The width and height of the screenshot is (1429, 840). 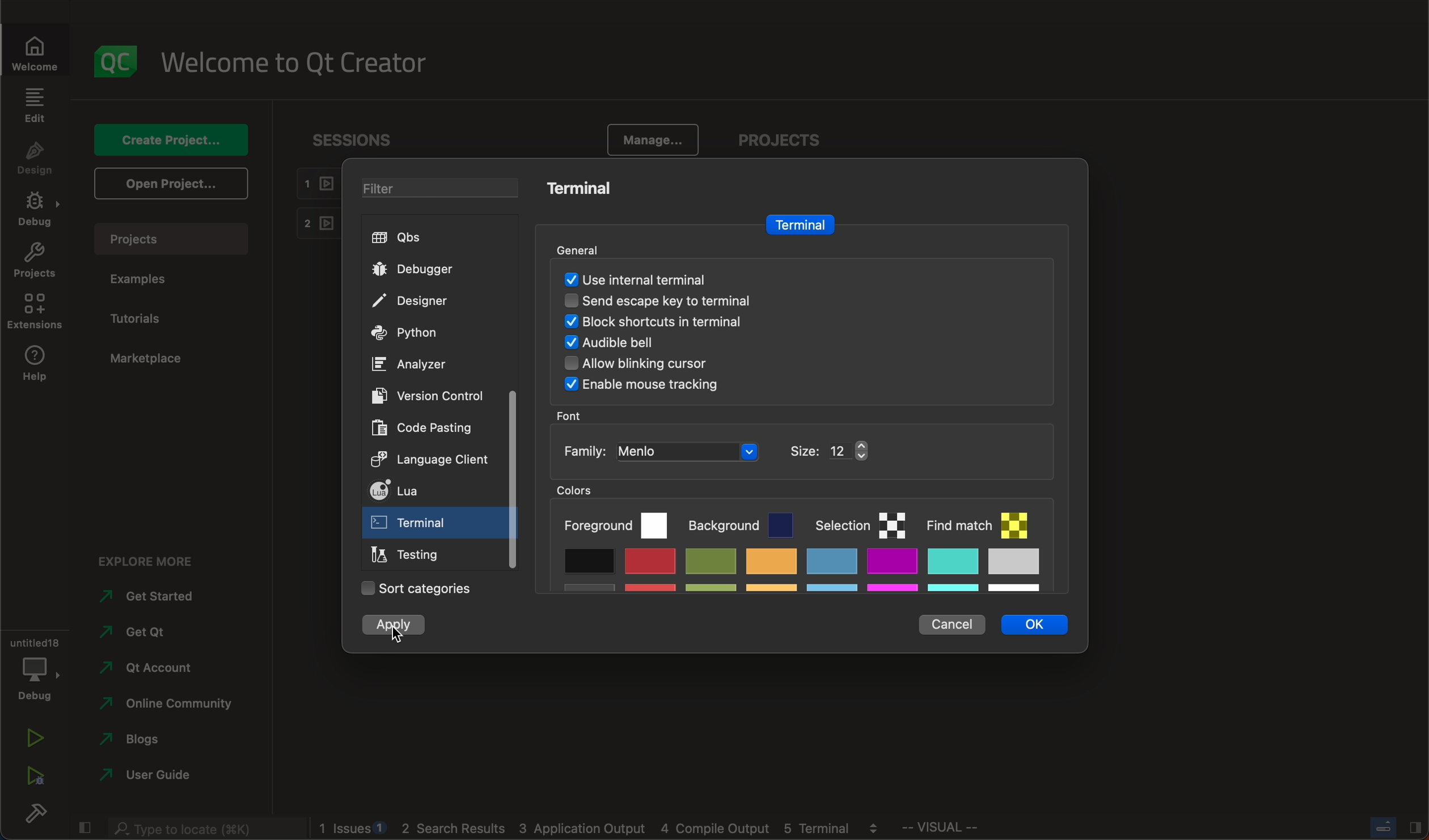 What do you see at coordinates (168, 184) in the screenshot?
I see `open ` at bounding box center [168, 184].